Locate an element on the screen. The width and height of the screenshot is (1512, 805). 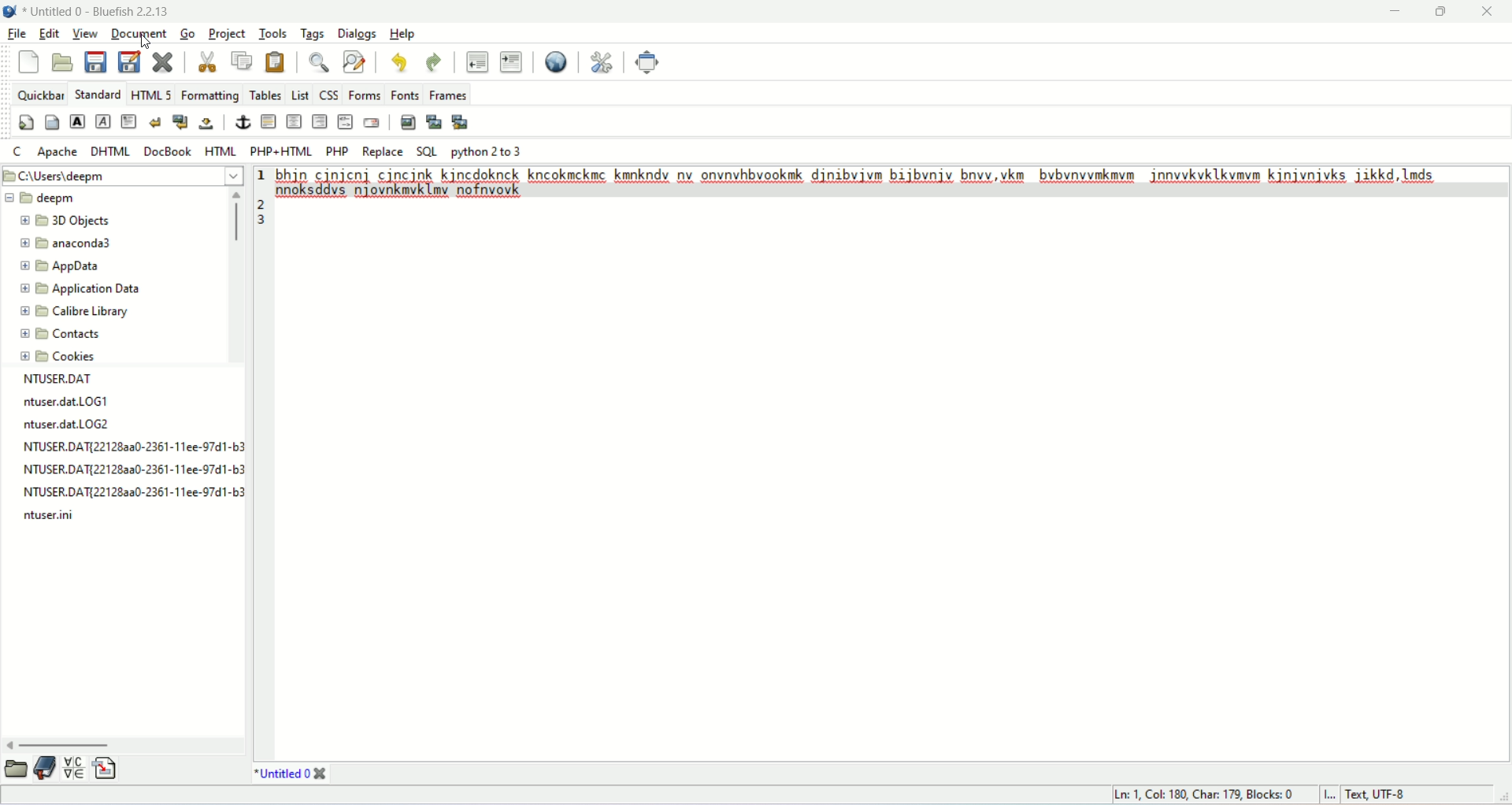
insert thumbnail is located at coordinates (435, 121).